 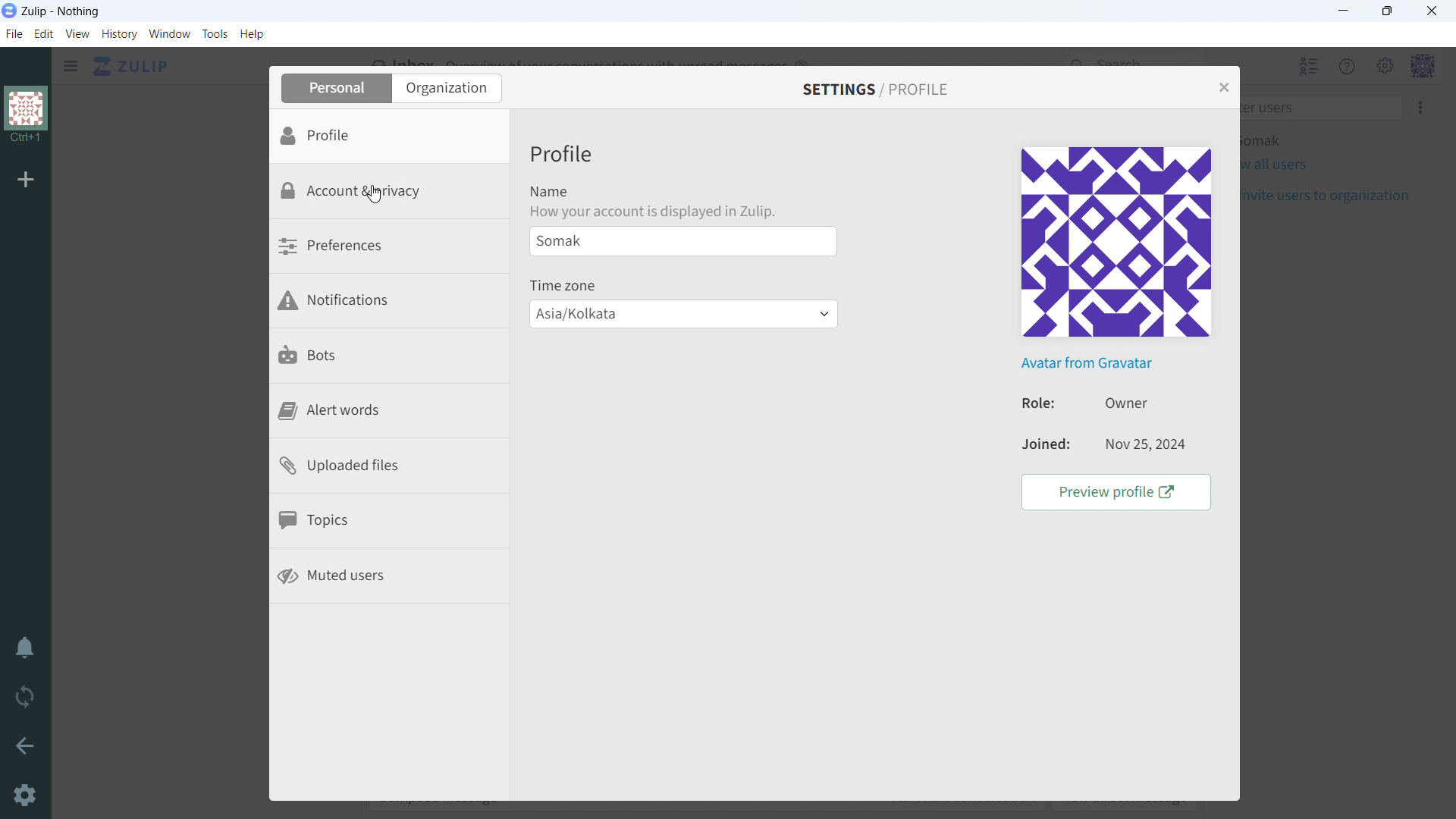 What do you see at coordinates (1087, 365) in the screenshot?
I see `avatar from gravatar` at bounding box center [1087, 365].